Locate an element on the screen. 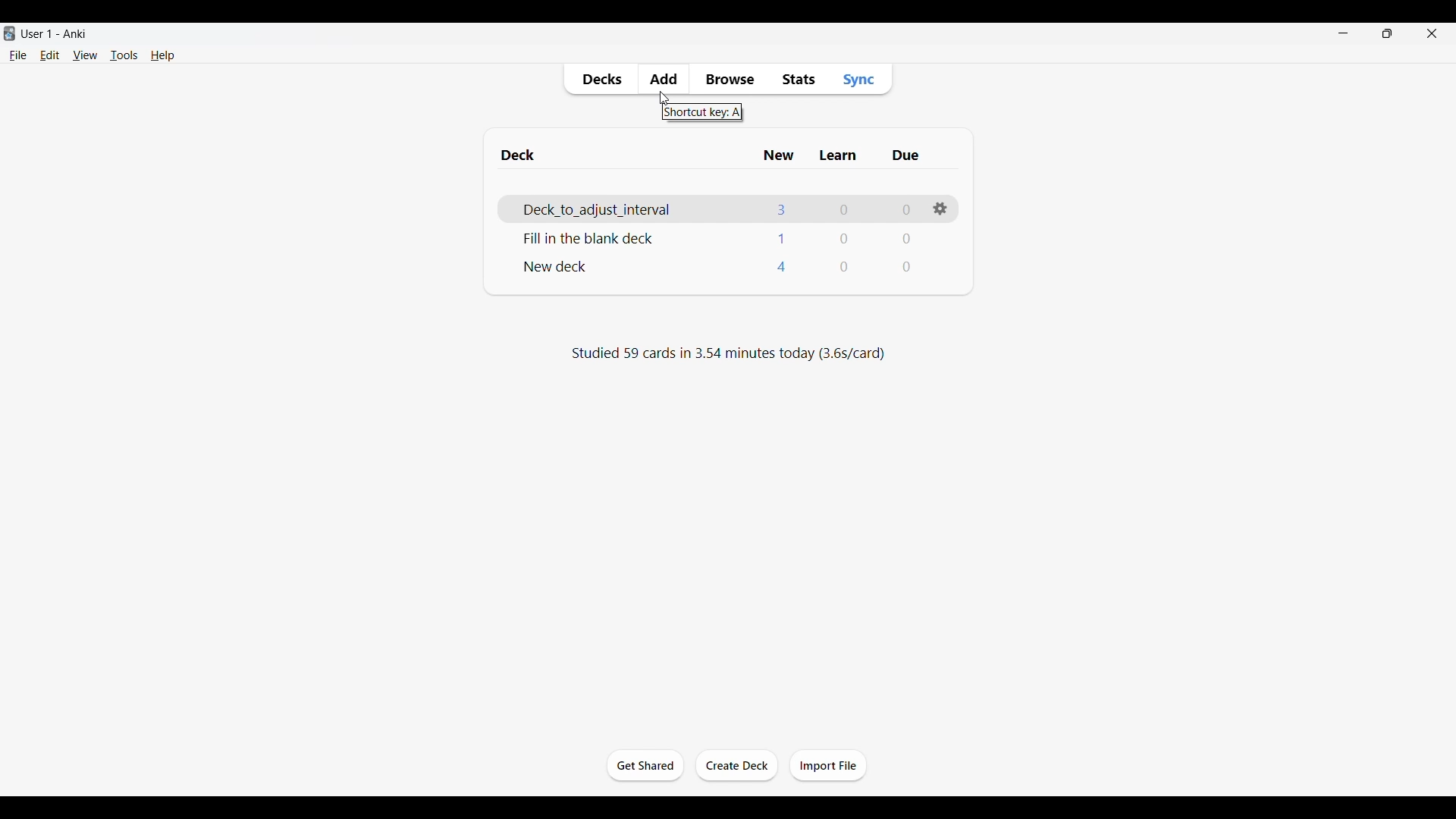  File menu is located at coordinates (17, 55).